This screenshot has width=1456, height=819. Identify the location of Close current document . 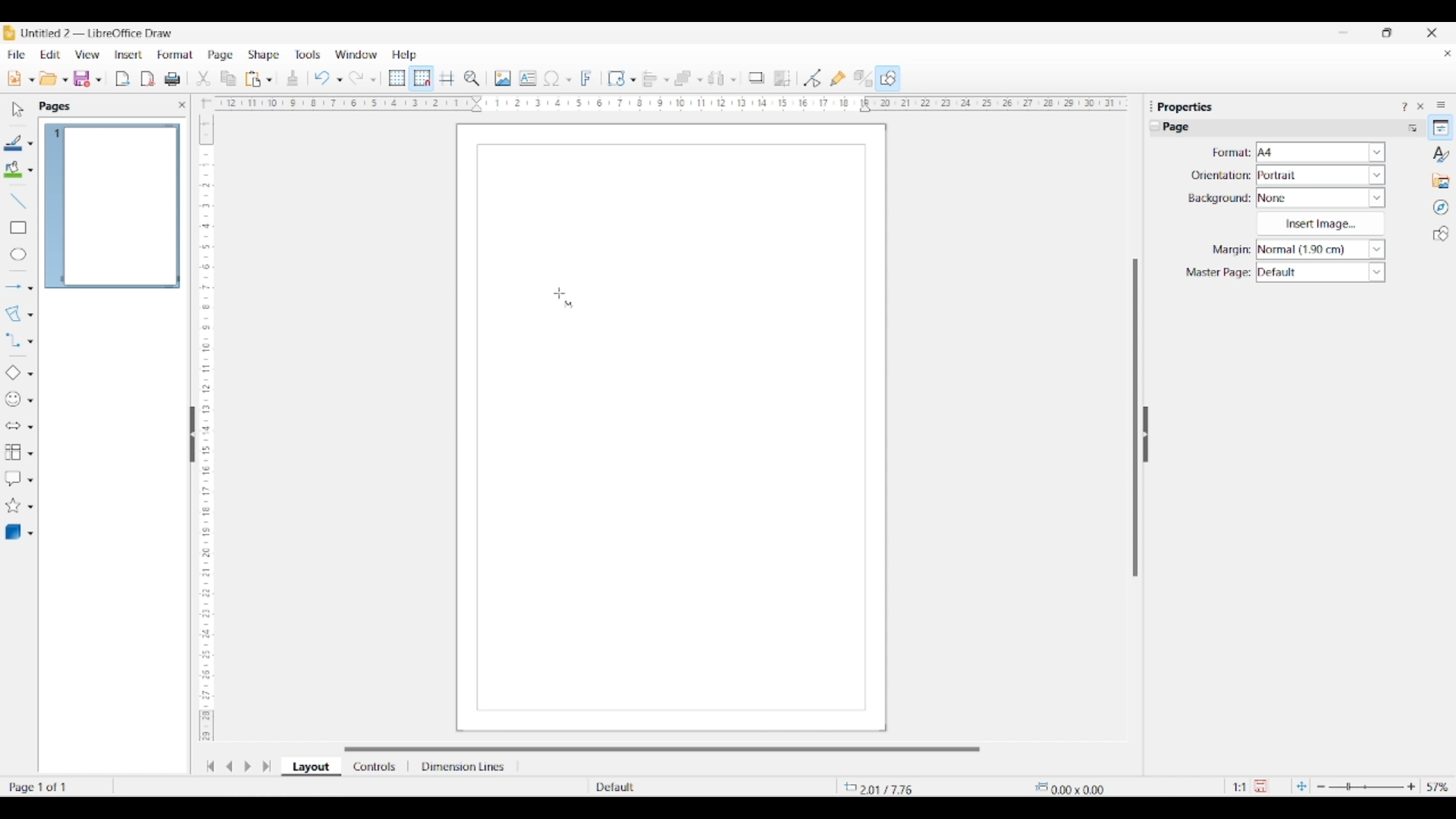
(1447, 54).